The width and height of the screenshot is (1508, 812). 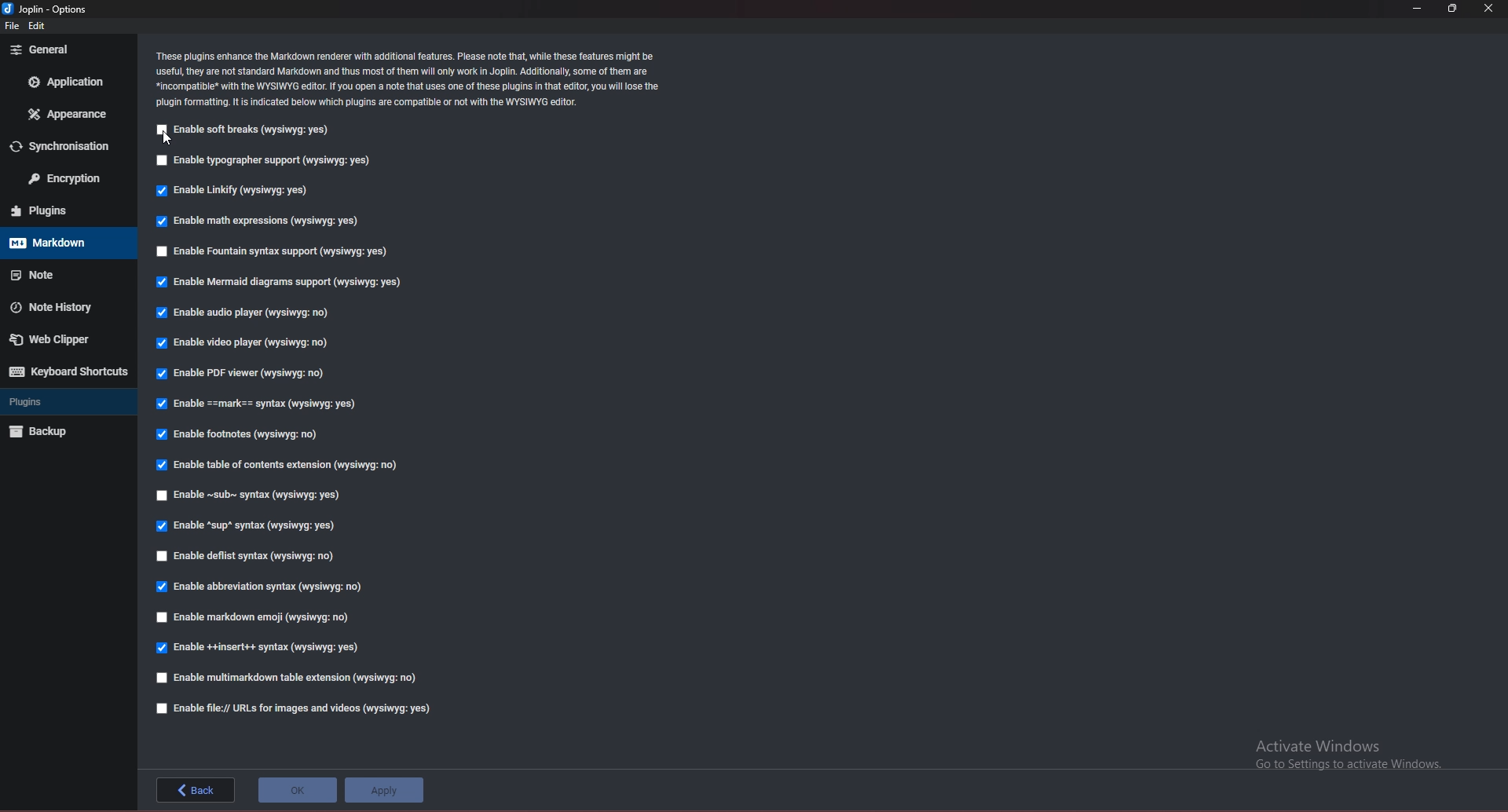 I want to click on cursor, so click(x=168, y=138).